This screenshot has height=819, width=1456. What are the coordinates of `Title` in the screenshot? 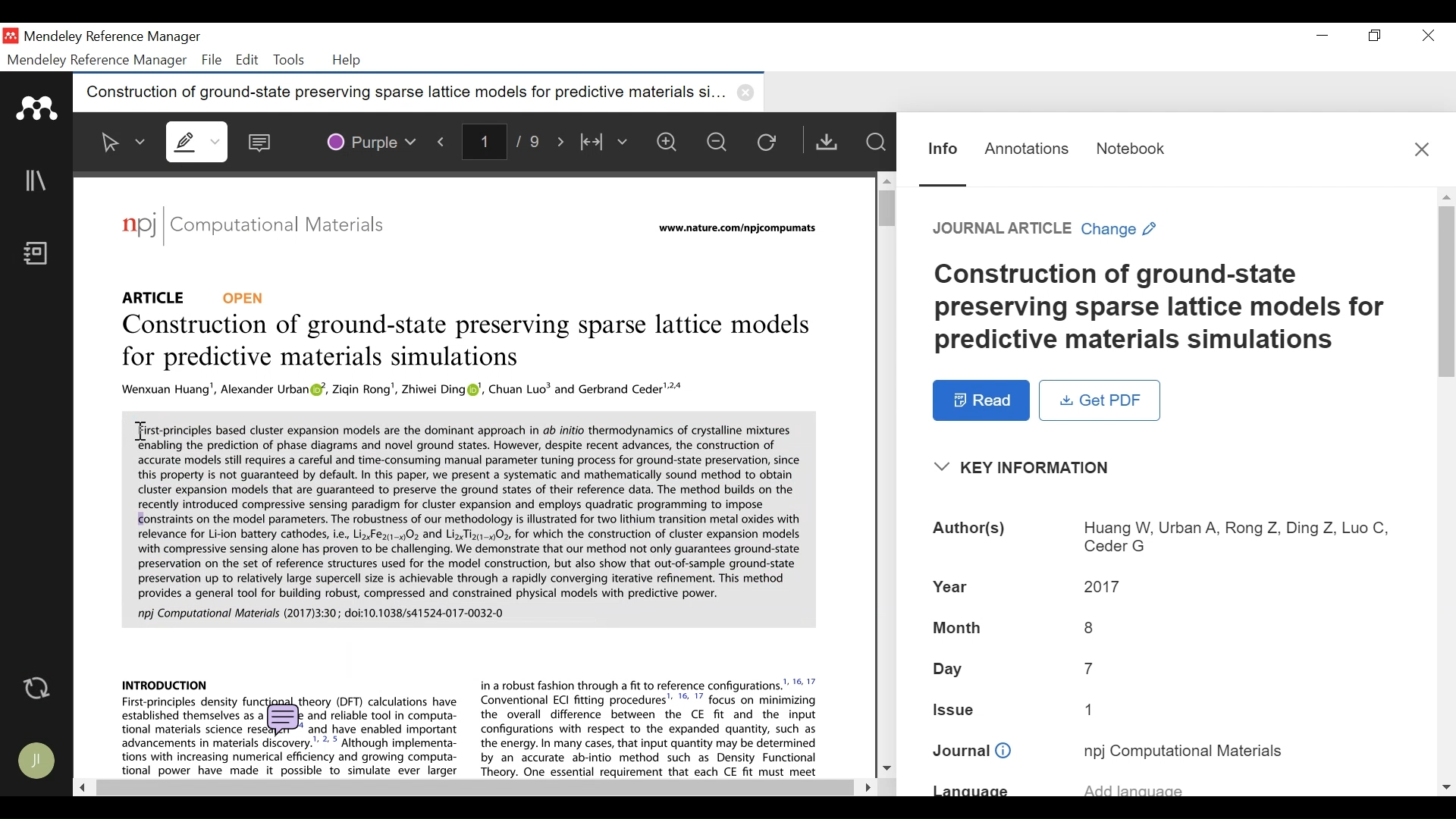 It's located at (470, 344).